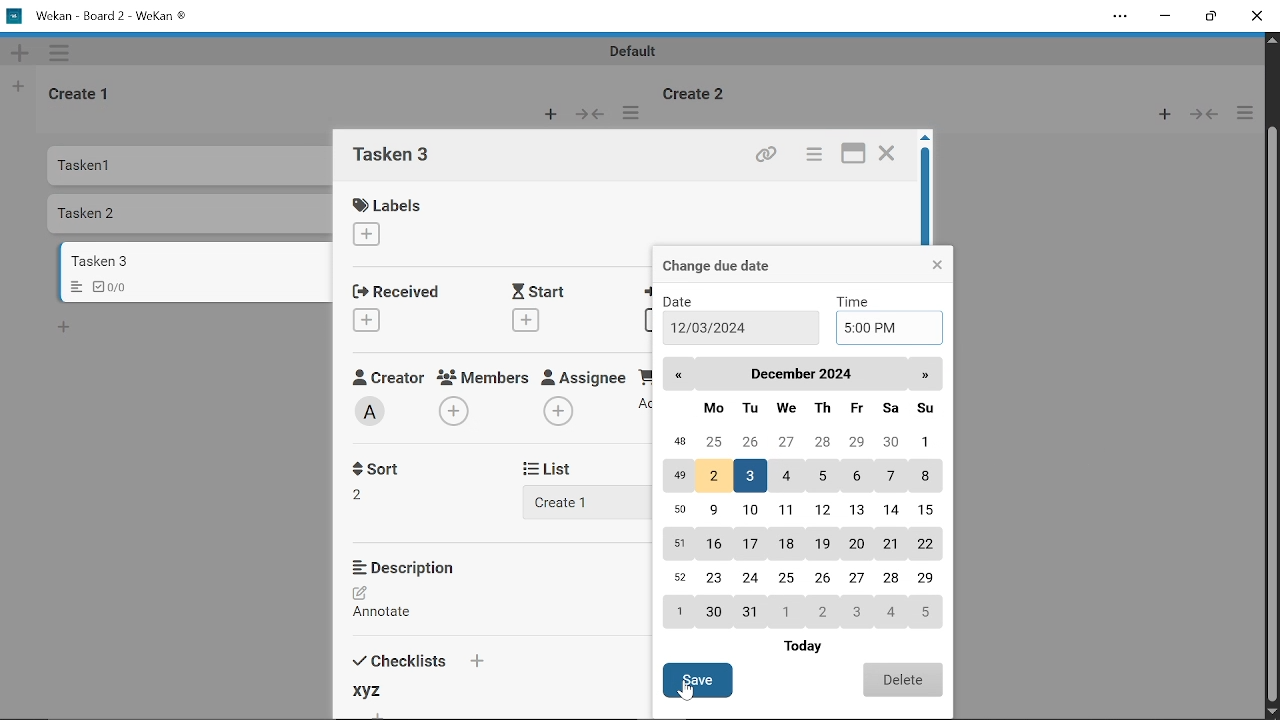 Image resolution: width=1280 pixels, height=720 pixels. Describe the element at coordinates (855, 155) in the screenshot. I see `maximize card` at that location.